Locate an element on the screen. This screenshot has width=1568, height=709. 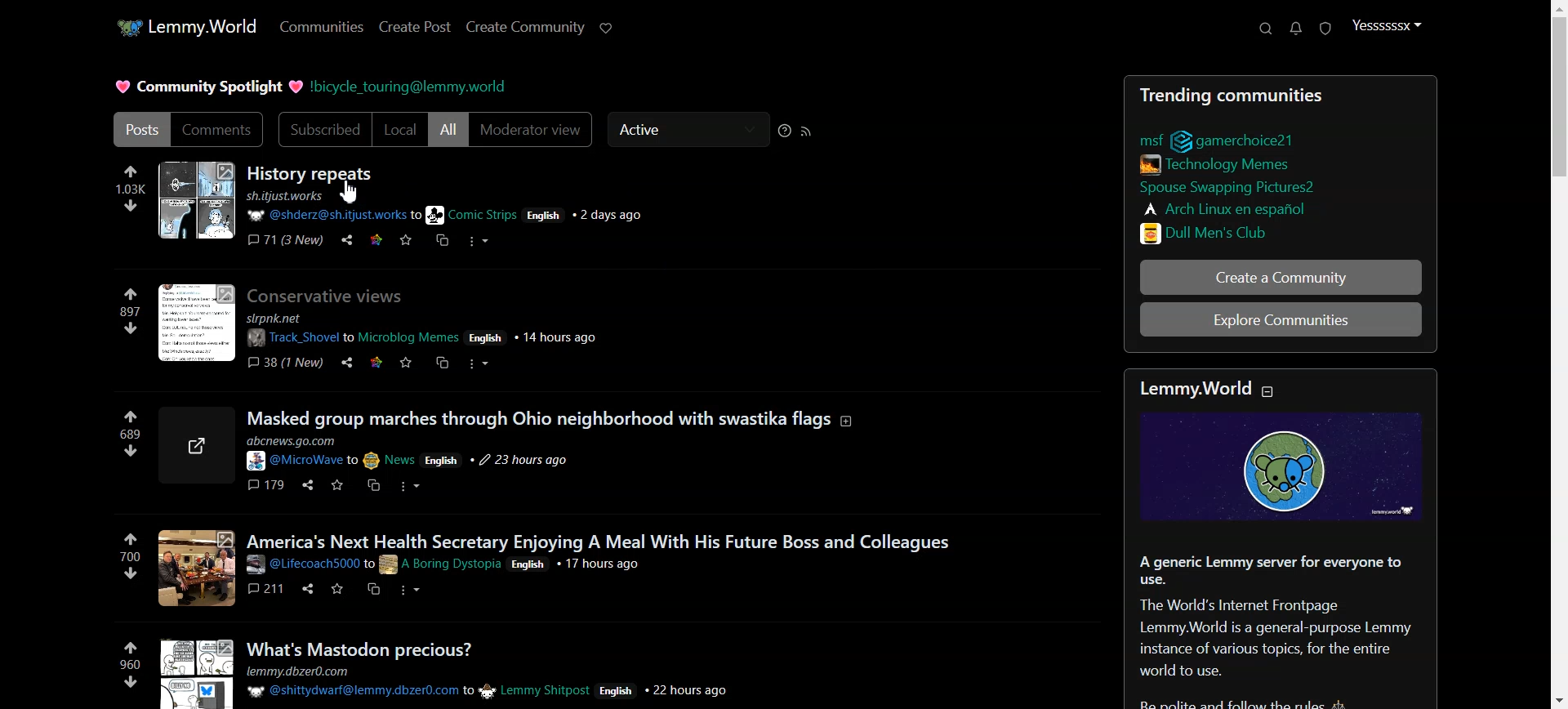
689 is located at coordinates (132, 438).